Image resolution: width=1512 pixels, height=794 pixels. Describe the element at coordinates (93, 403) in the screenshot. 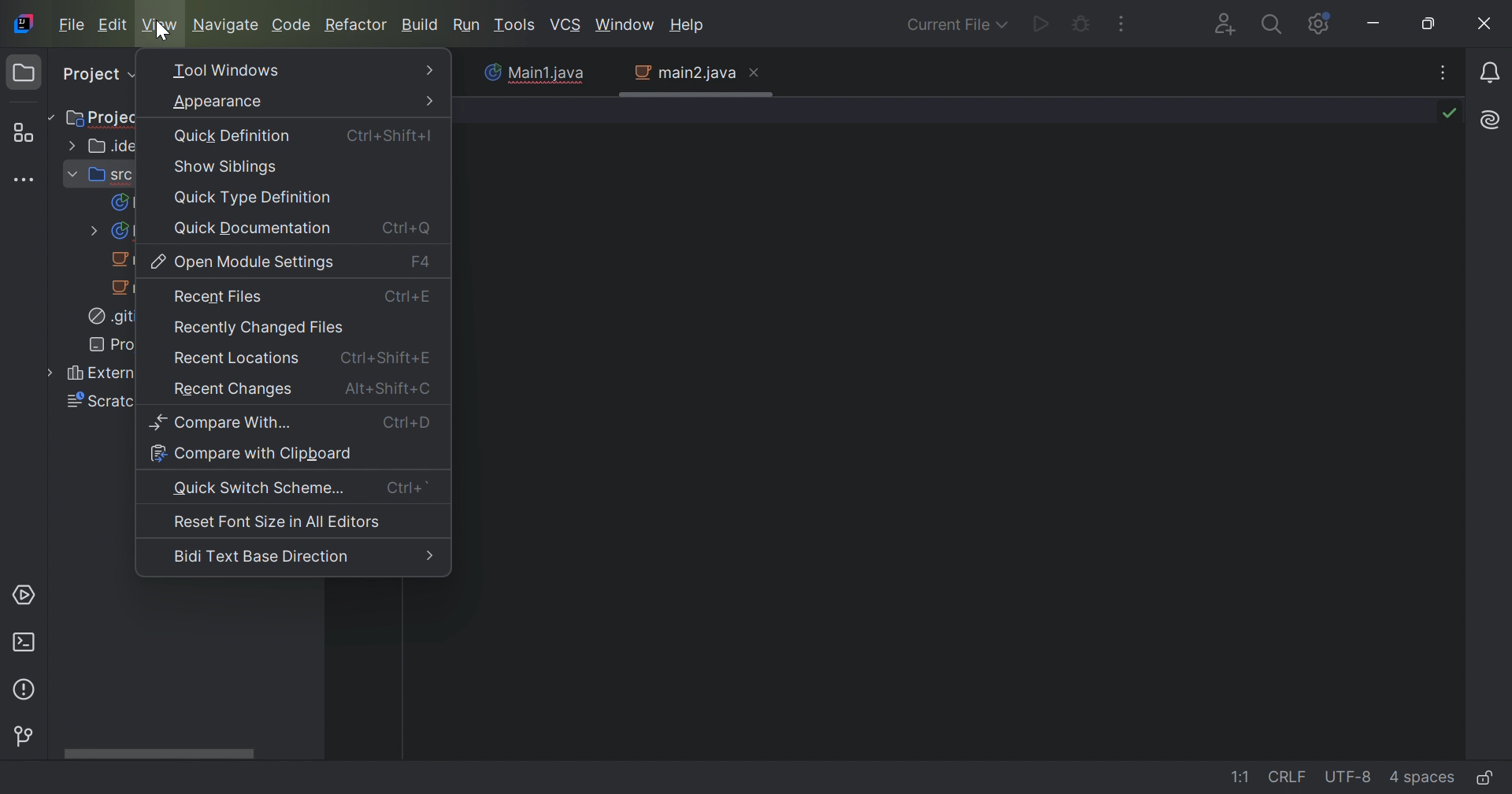

I see `Scratches and Consoles` at that location.